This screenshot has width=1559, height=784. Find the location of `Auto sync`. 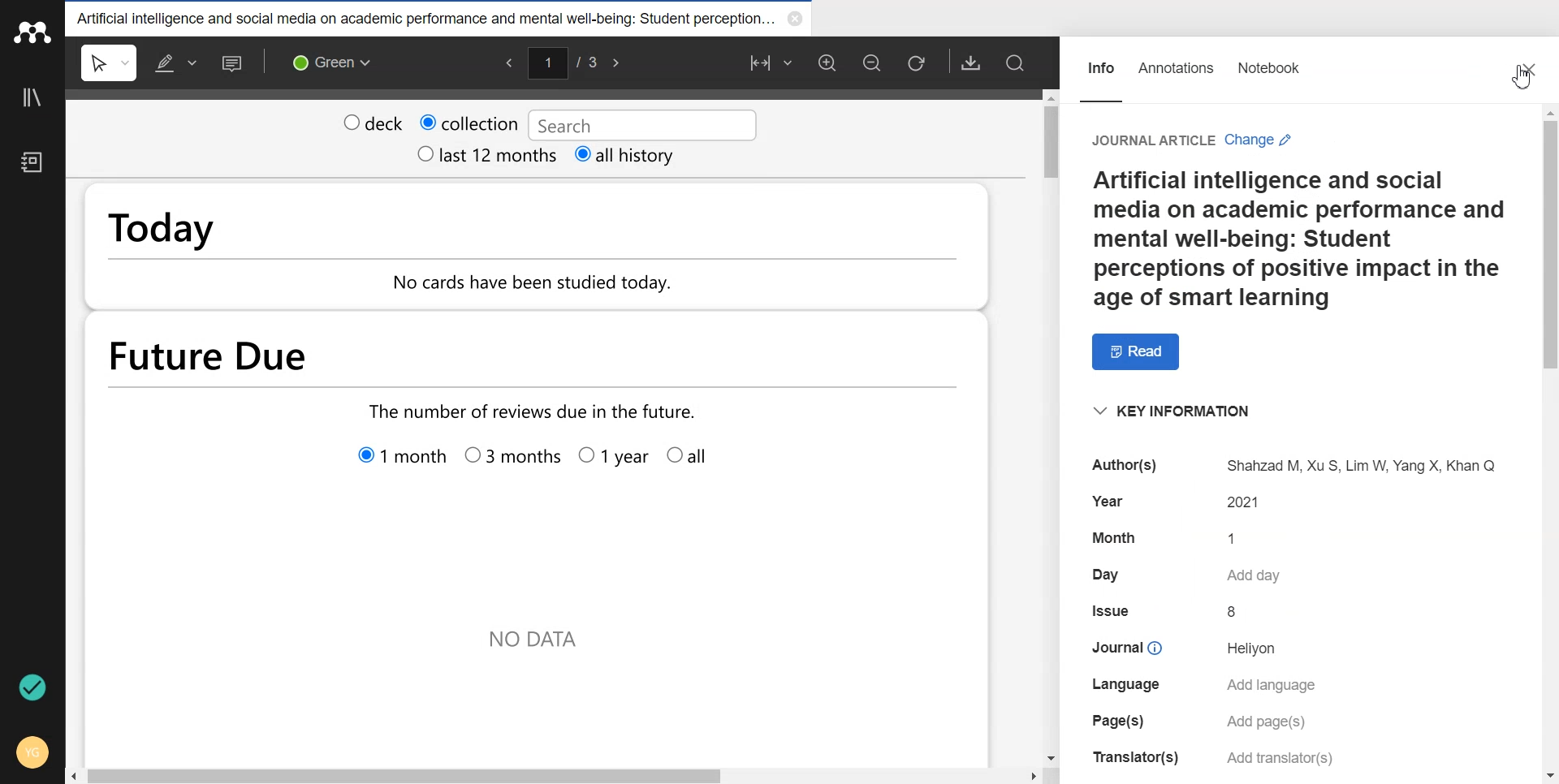

Auto sync is located at coordinates (35, 688).